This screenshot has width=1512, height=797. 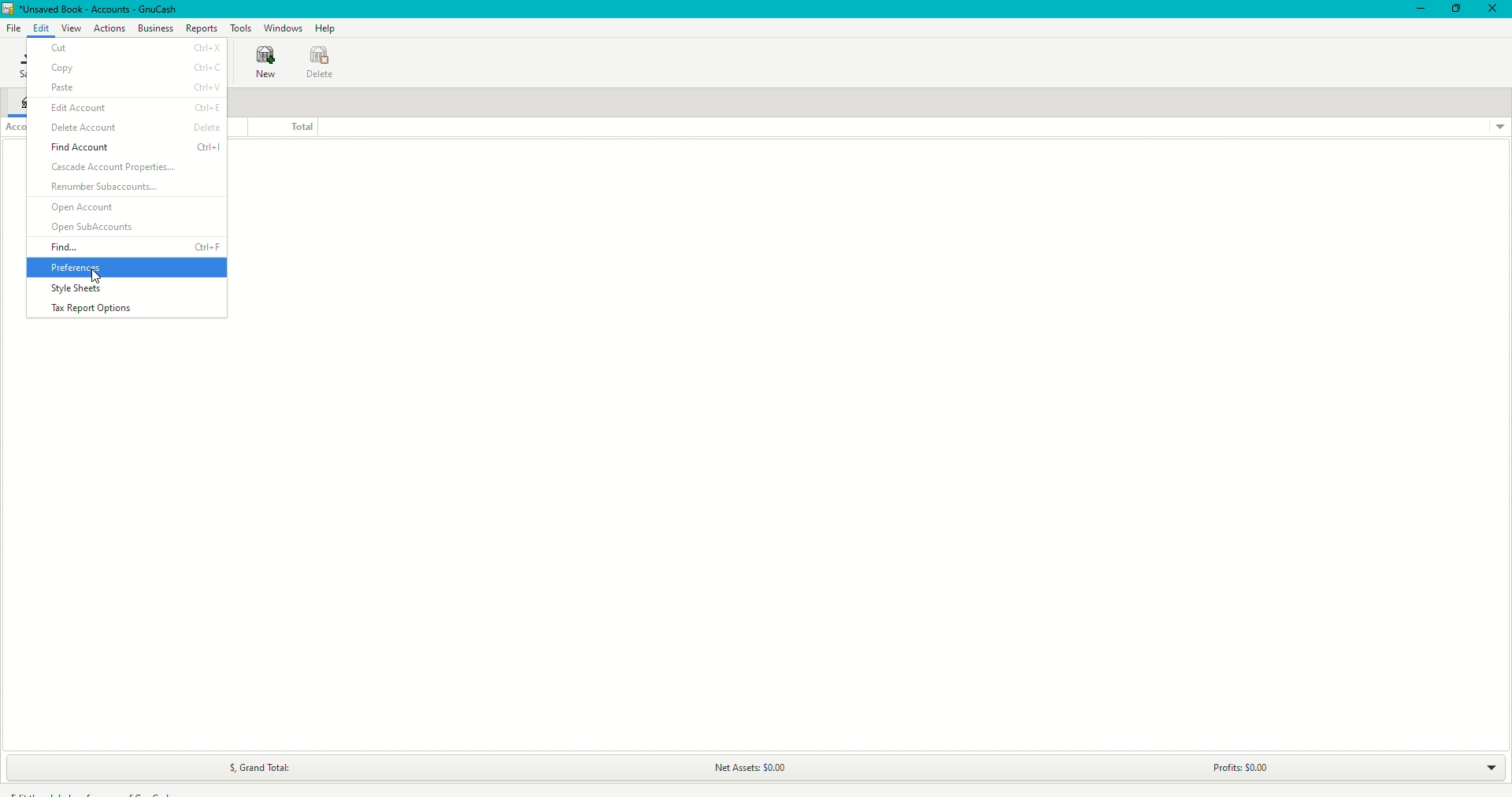 I want to click on Cascade Account Properties, so click(x=117, y=169).